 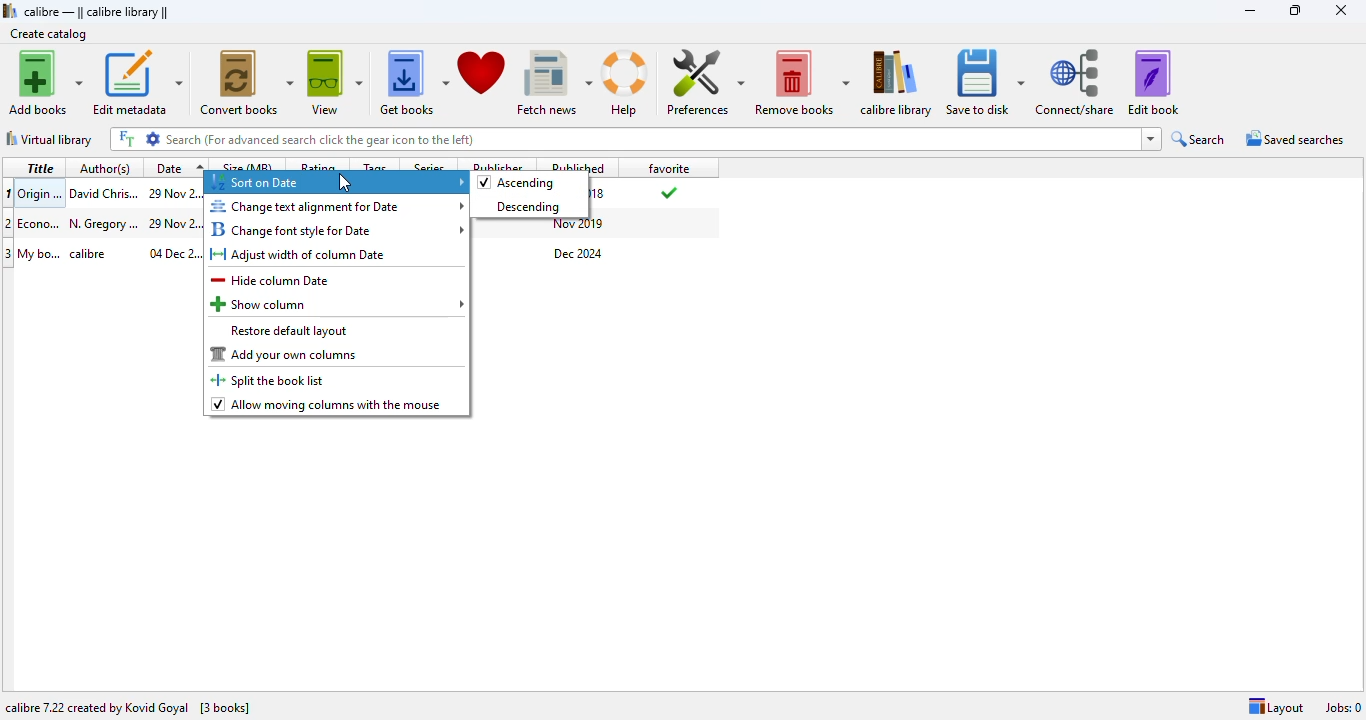 What do you see at coordinates (108, 168) in the screenshot?
I see `author(s)` at bounding box center [108, 168].